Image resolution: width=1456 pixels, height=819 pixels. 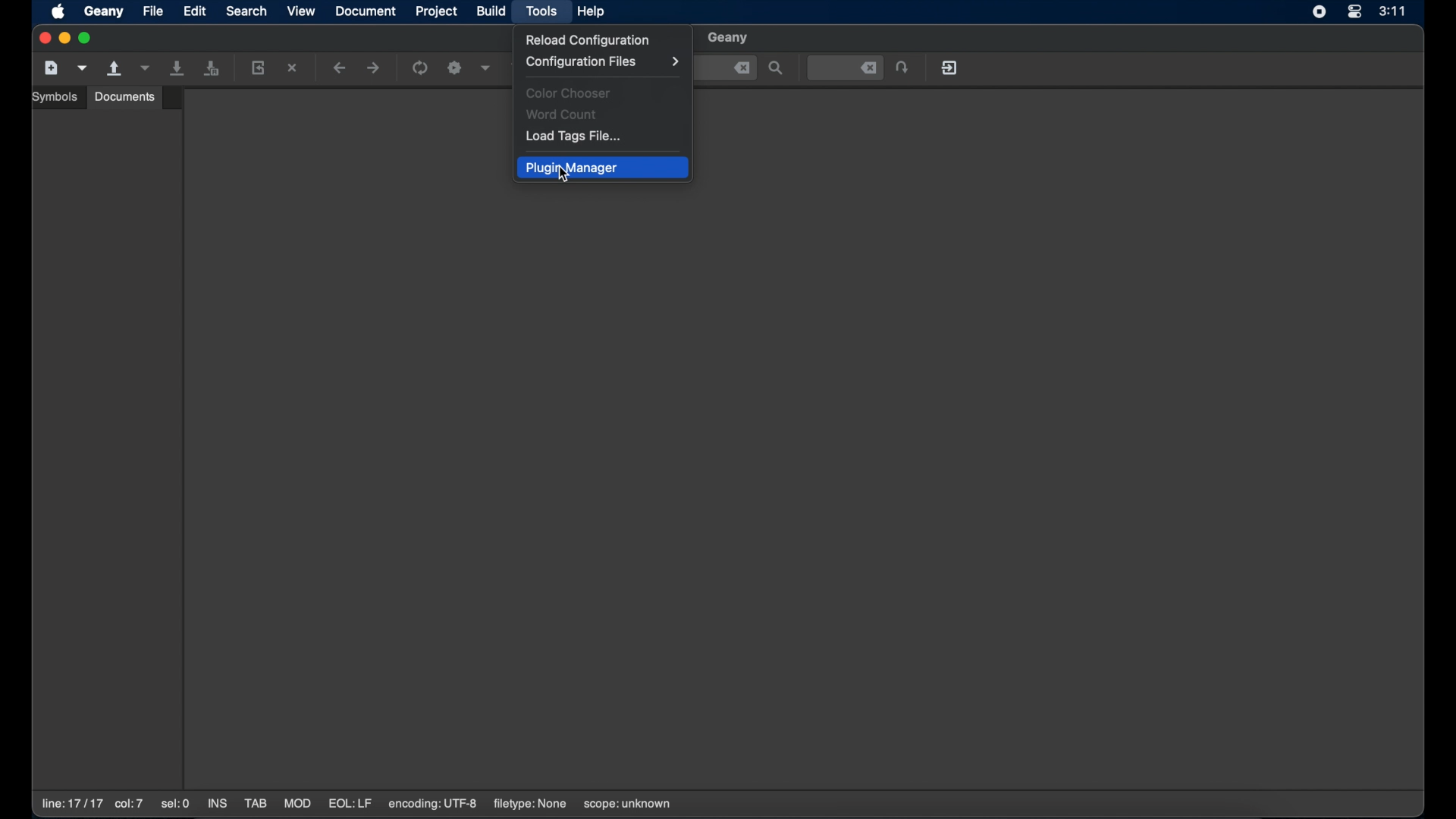 What do you see at coordinates (592, 11) in the screenshot?
I see `help` at bounding box center [592, 11].